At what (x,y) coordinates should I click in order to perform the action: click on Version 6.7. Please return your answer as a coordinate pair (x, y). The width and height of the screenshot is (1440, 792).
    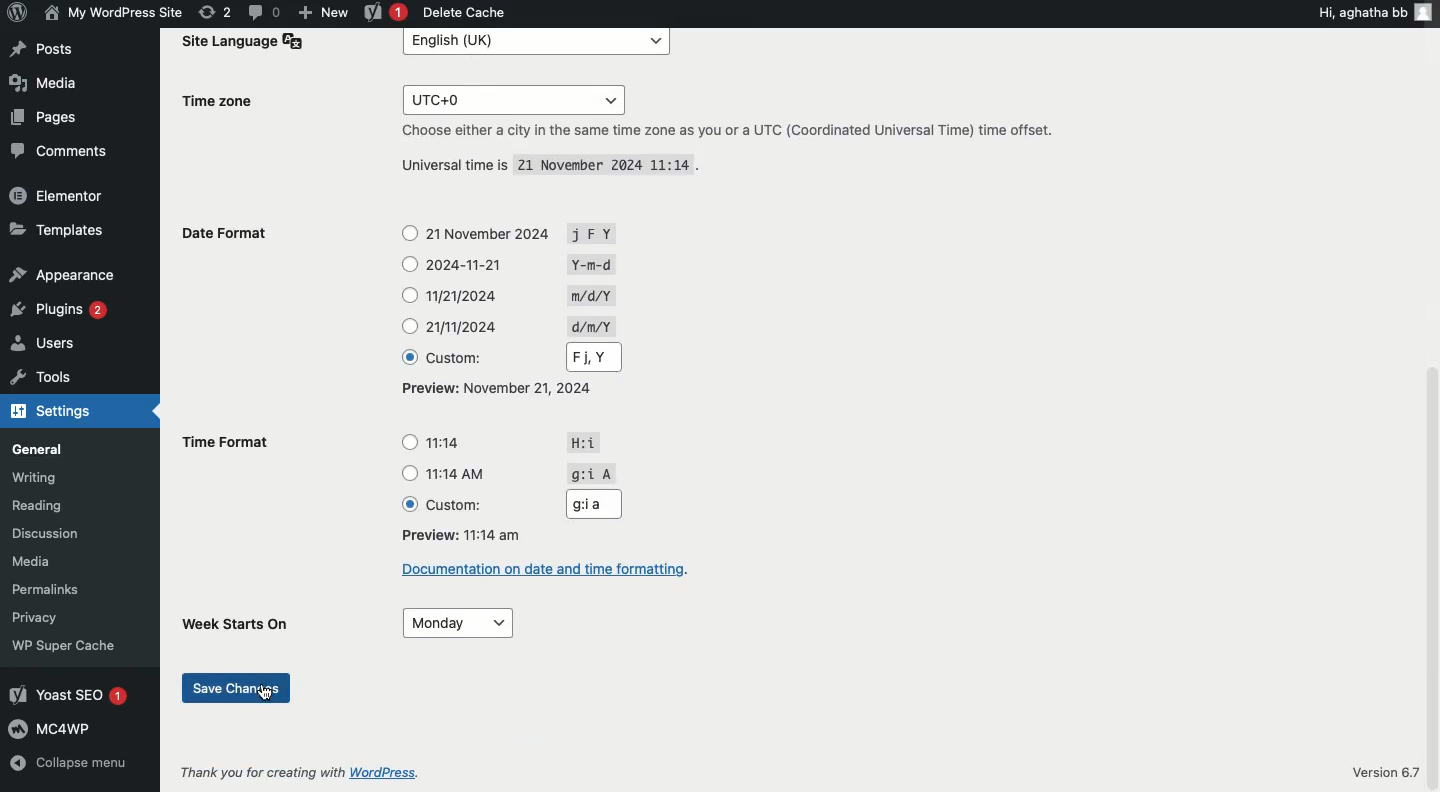
    Looking at the image, I should click on (1387, 769).